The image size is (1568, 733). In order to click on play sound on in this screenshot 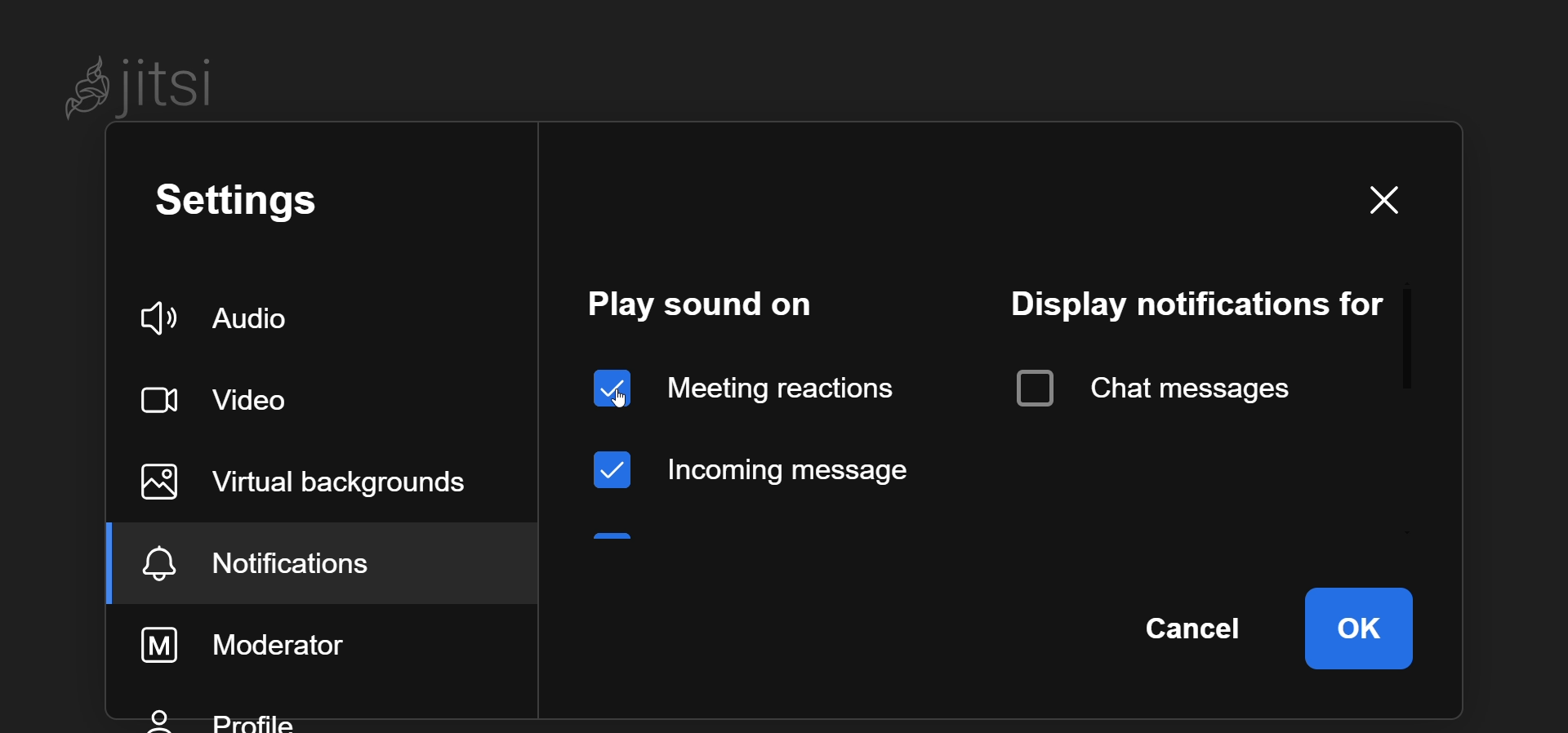, I will do `click(700, 309)`.